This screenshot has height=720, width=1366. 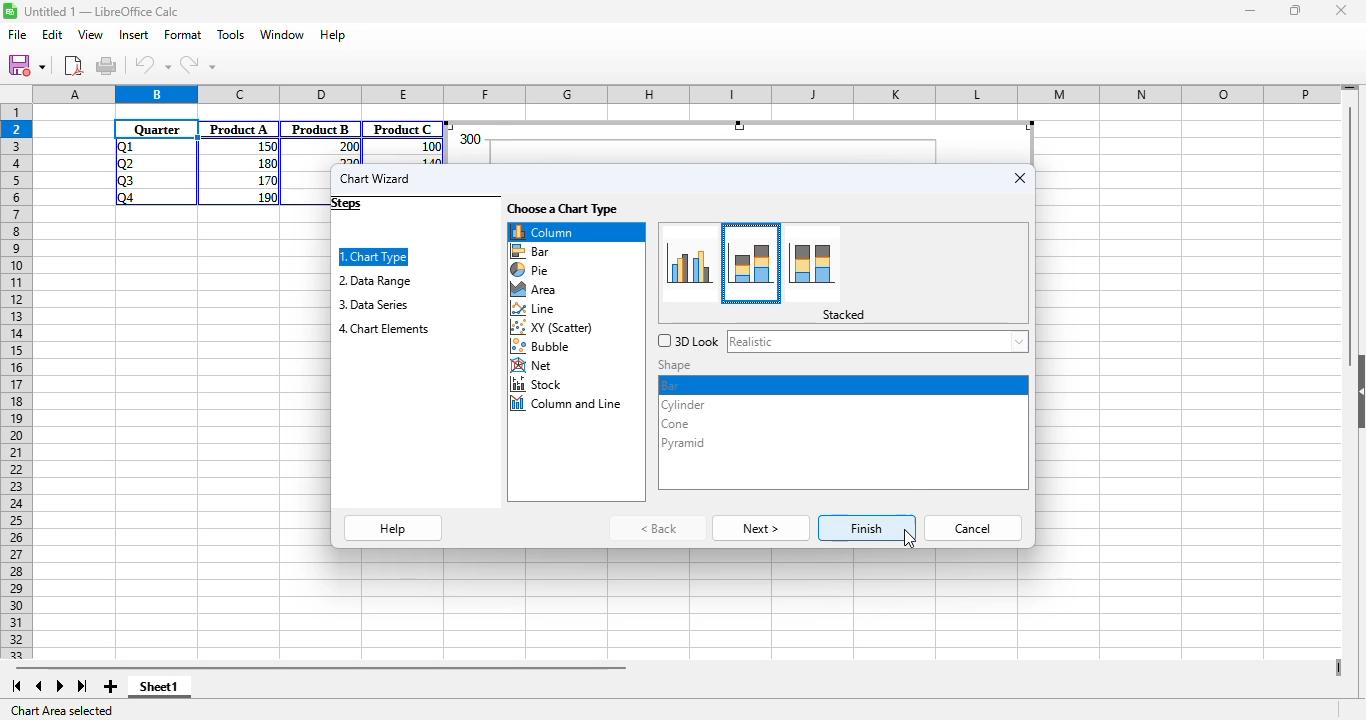 What do you see at coordinates (814, 263) in the screenshot?
I see `percent stacked` at bounding box center [814, 263].